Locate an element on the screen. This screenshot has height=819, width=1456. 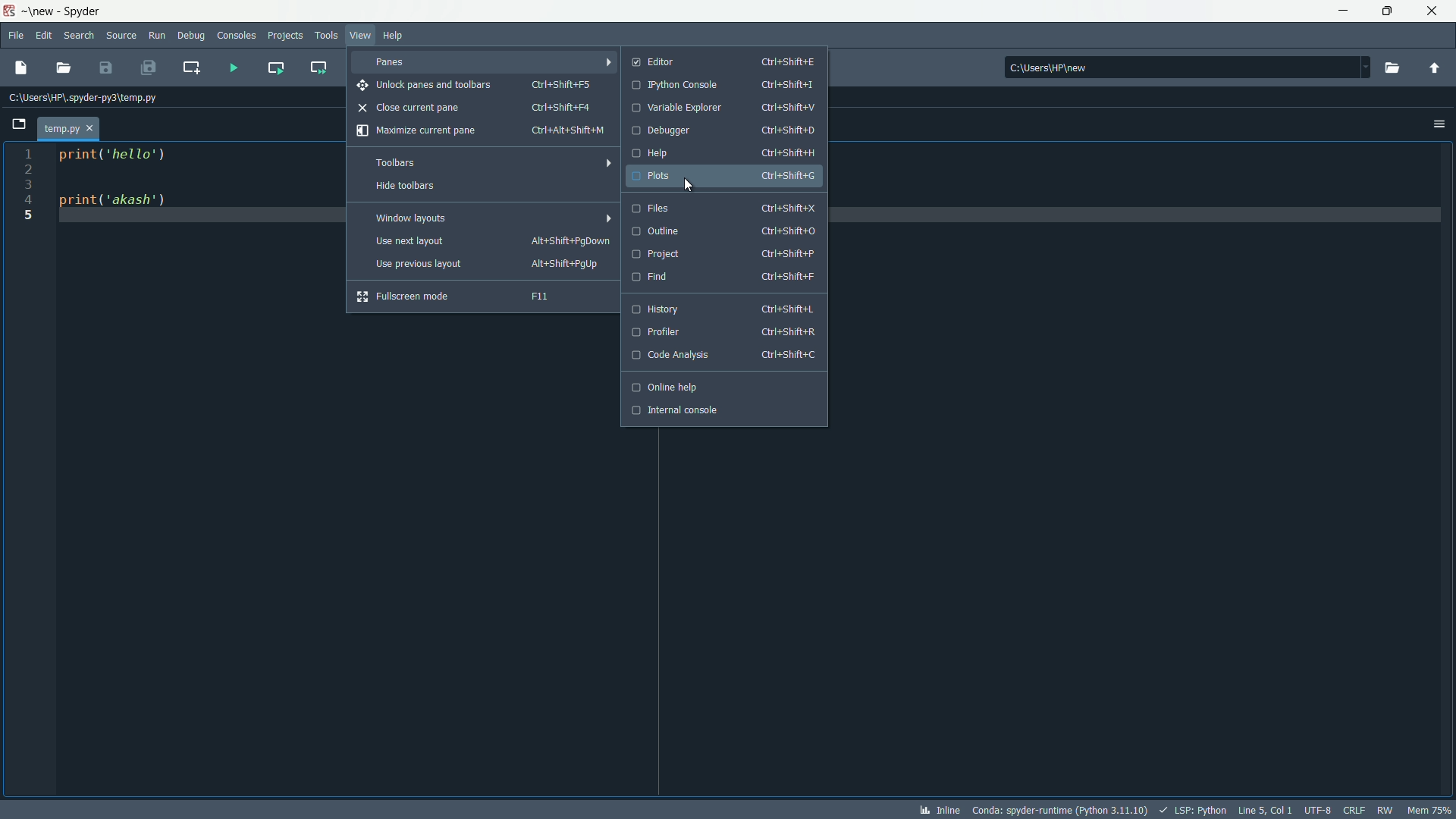
help is located at coordinates (725, 153).